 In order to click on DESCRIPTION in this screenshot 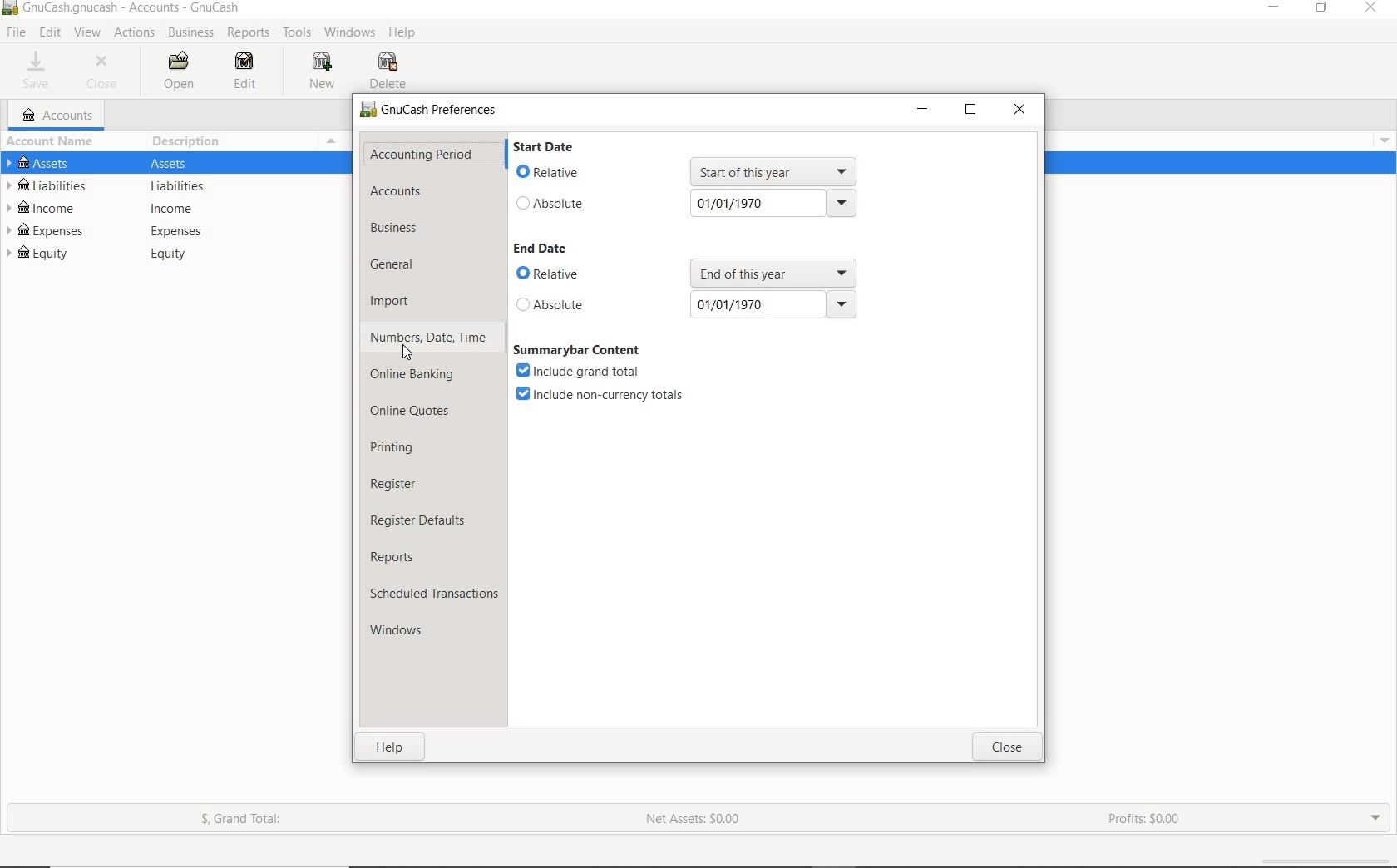, I will do `click(189, 141)`.